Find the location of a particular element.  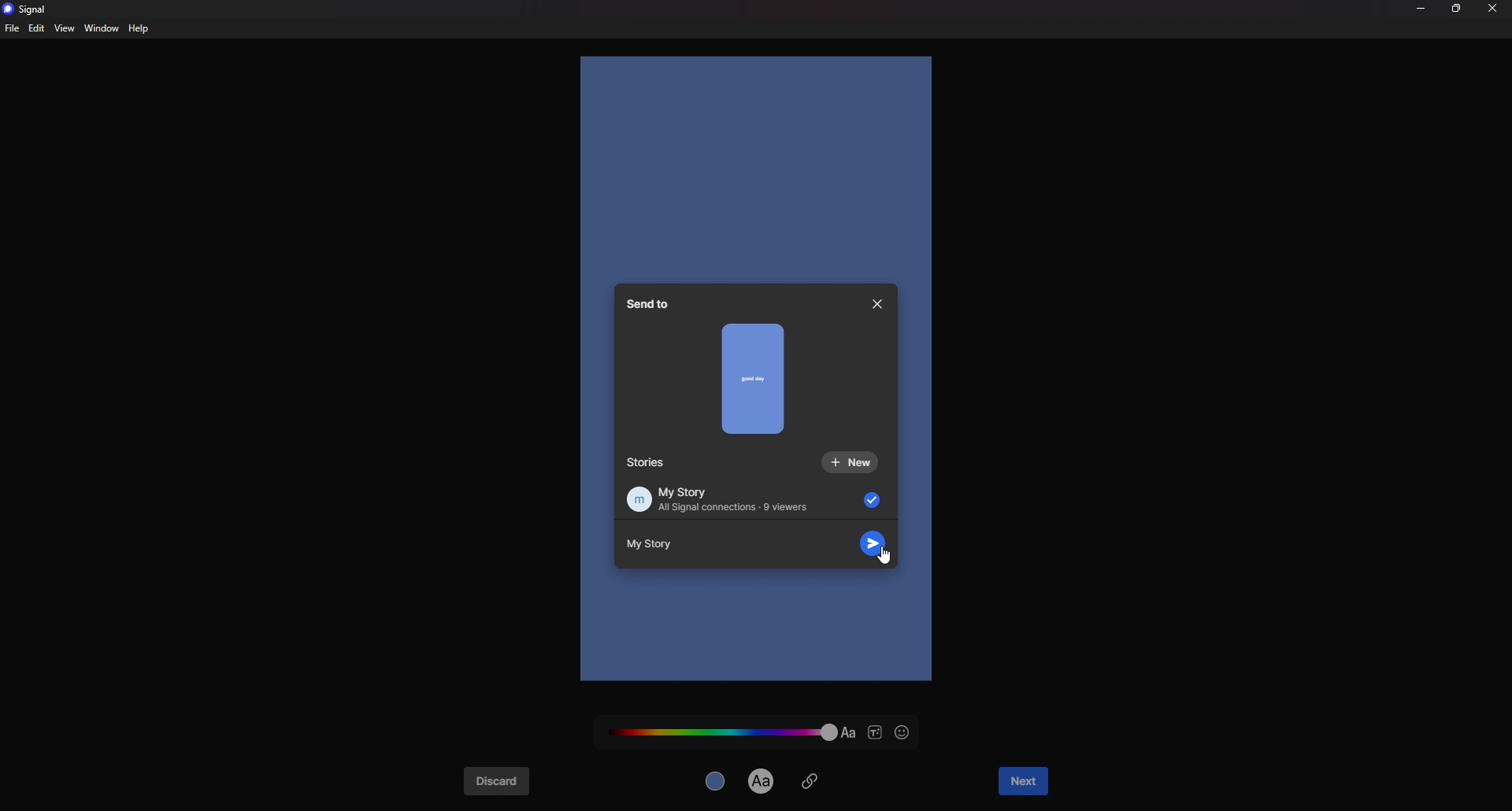

close is located at coordinates (877, 304).